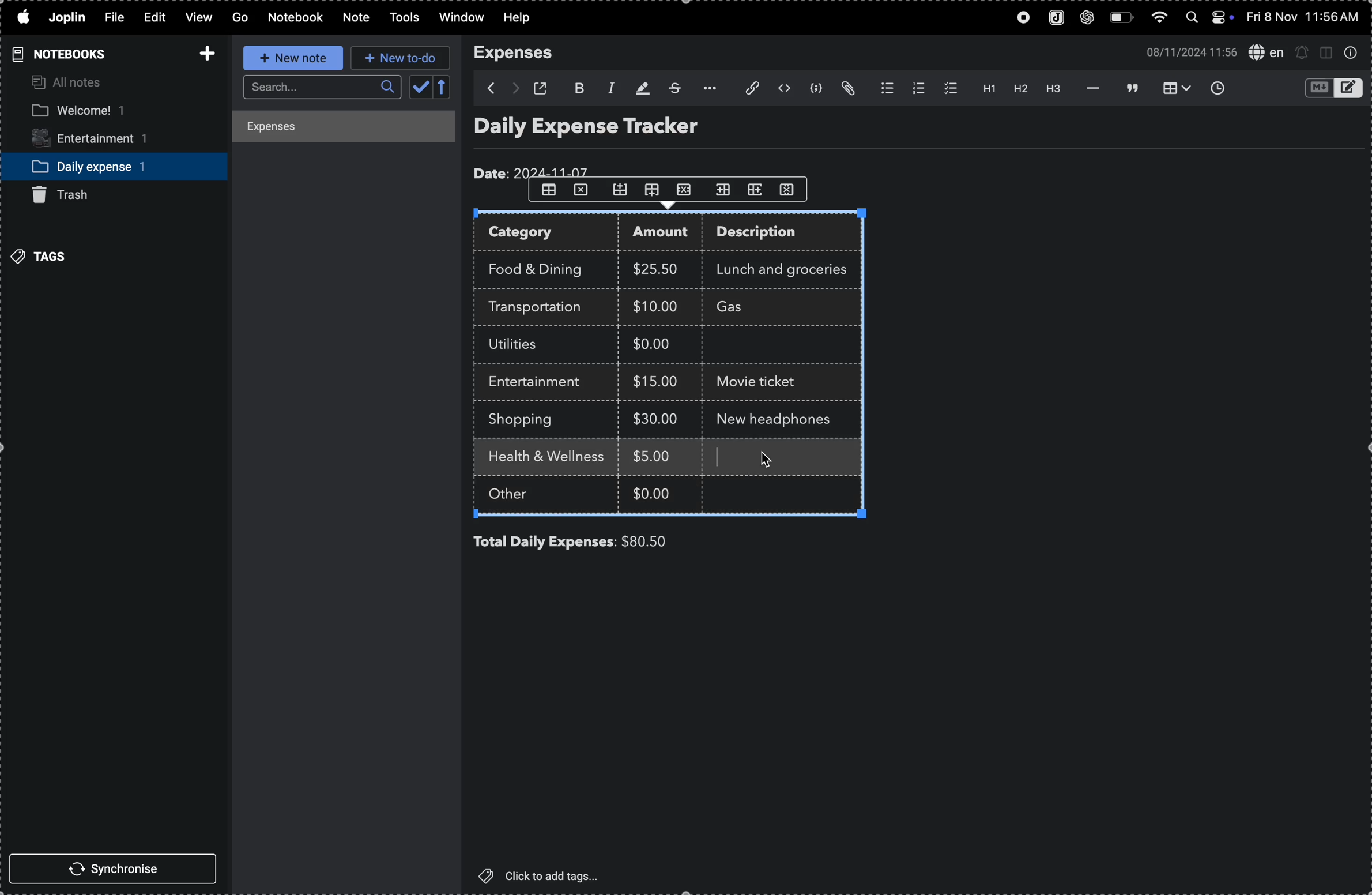  I want to click on shift coloumn to left, so click(756, 189).